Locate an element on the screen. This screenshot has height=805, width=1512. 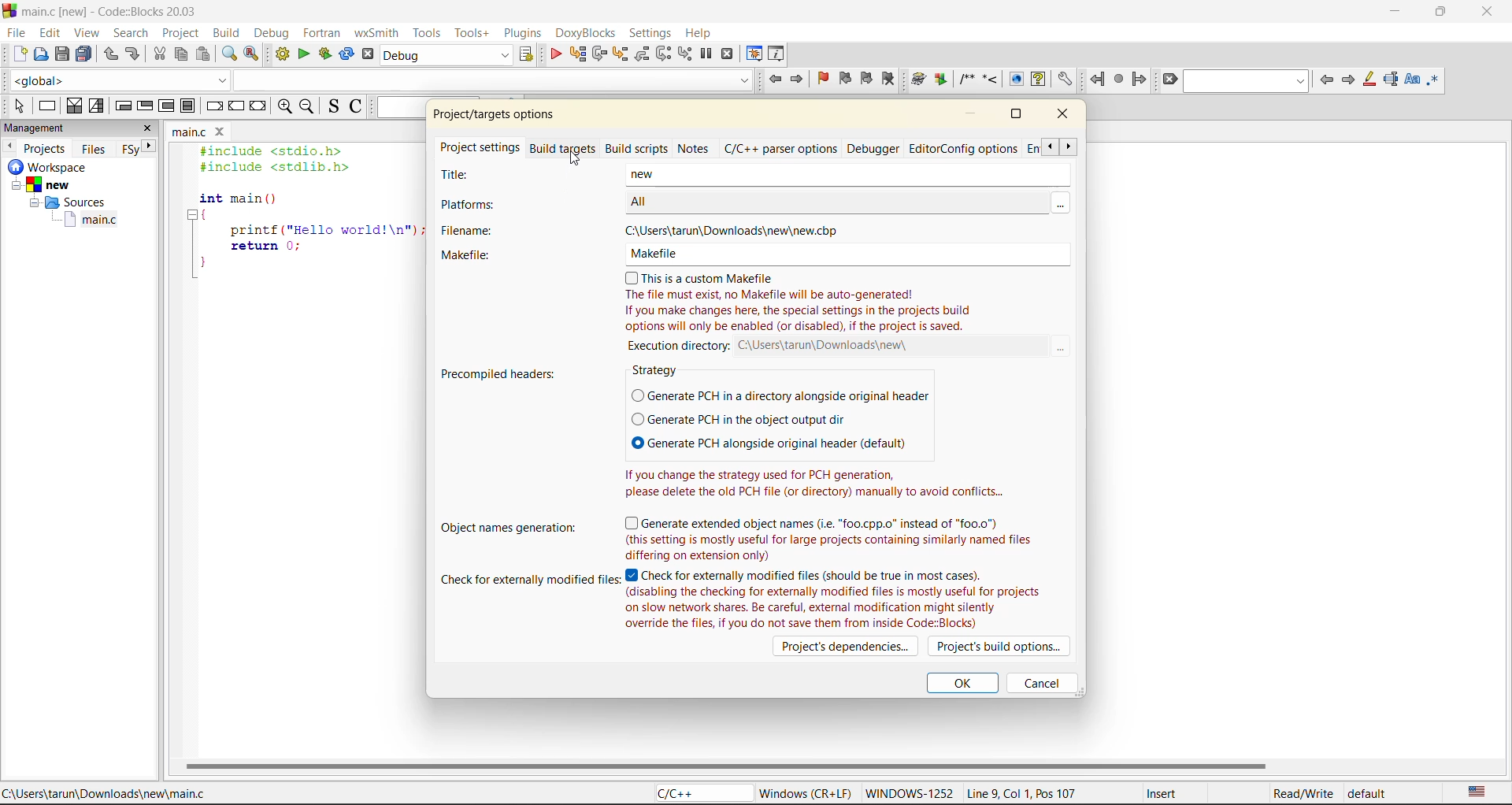
show select target dialog is located at coordinates (528, 55).